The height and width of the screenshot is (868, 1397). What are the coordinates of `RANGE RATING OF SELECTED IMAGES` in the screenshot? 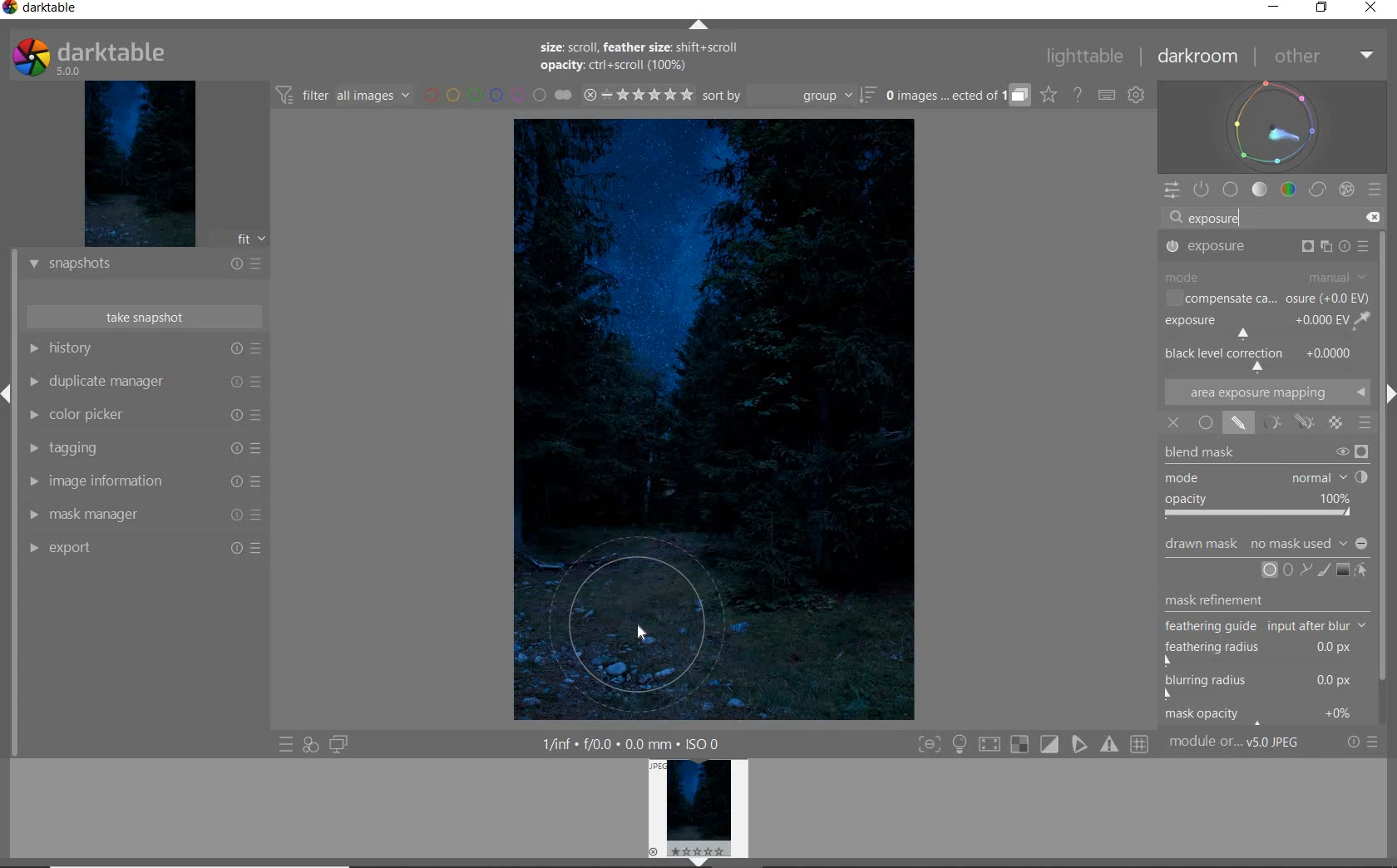 It's located at (638, 95).